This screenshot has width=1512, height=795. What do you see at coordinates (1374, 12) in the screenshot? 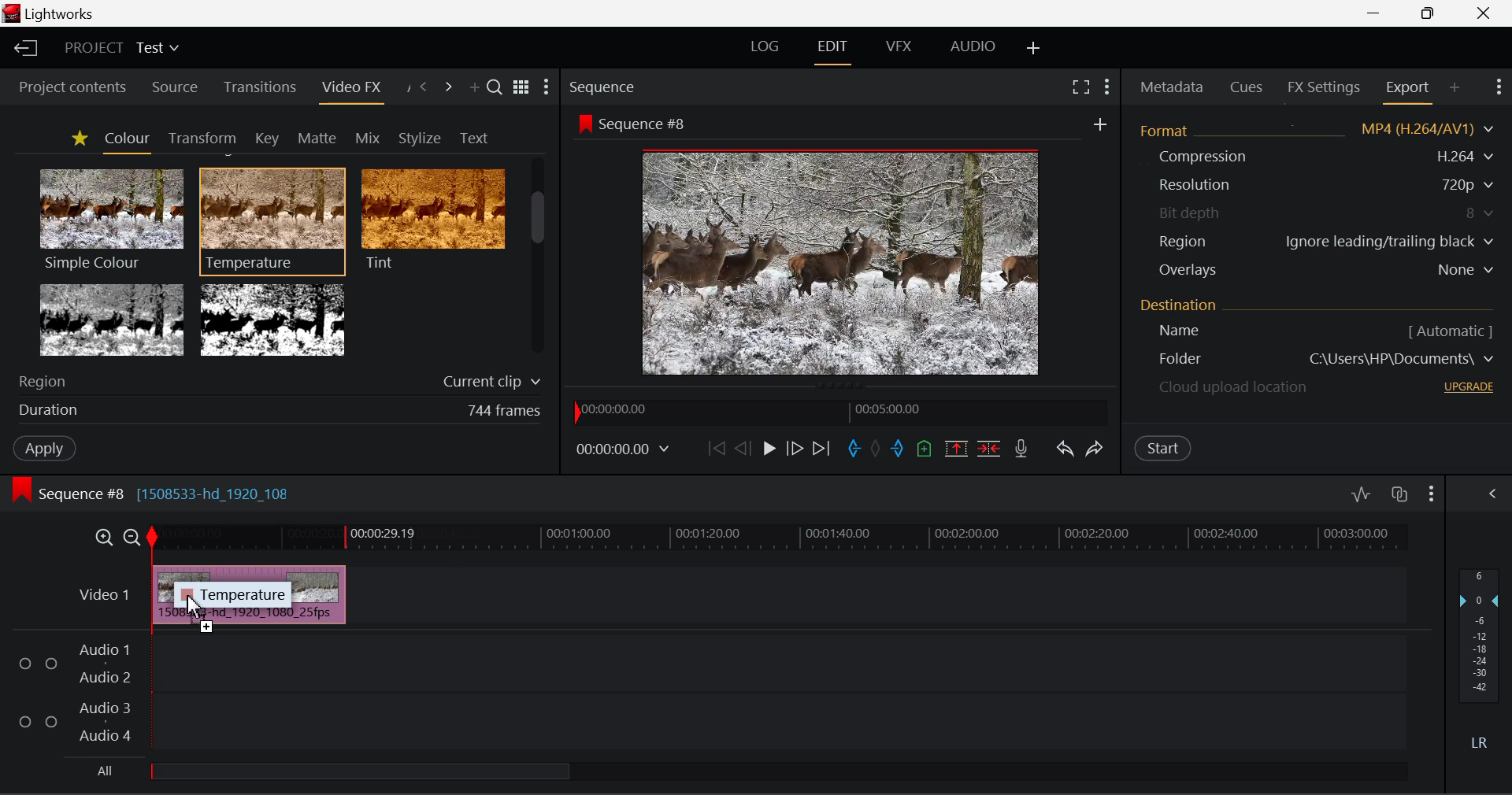
I see `Restore Down` at bounding box center [1374, 12].